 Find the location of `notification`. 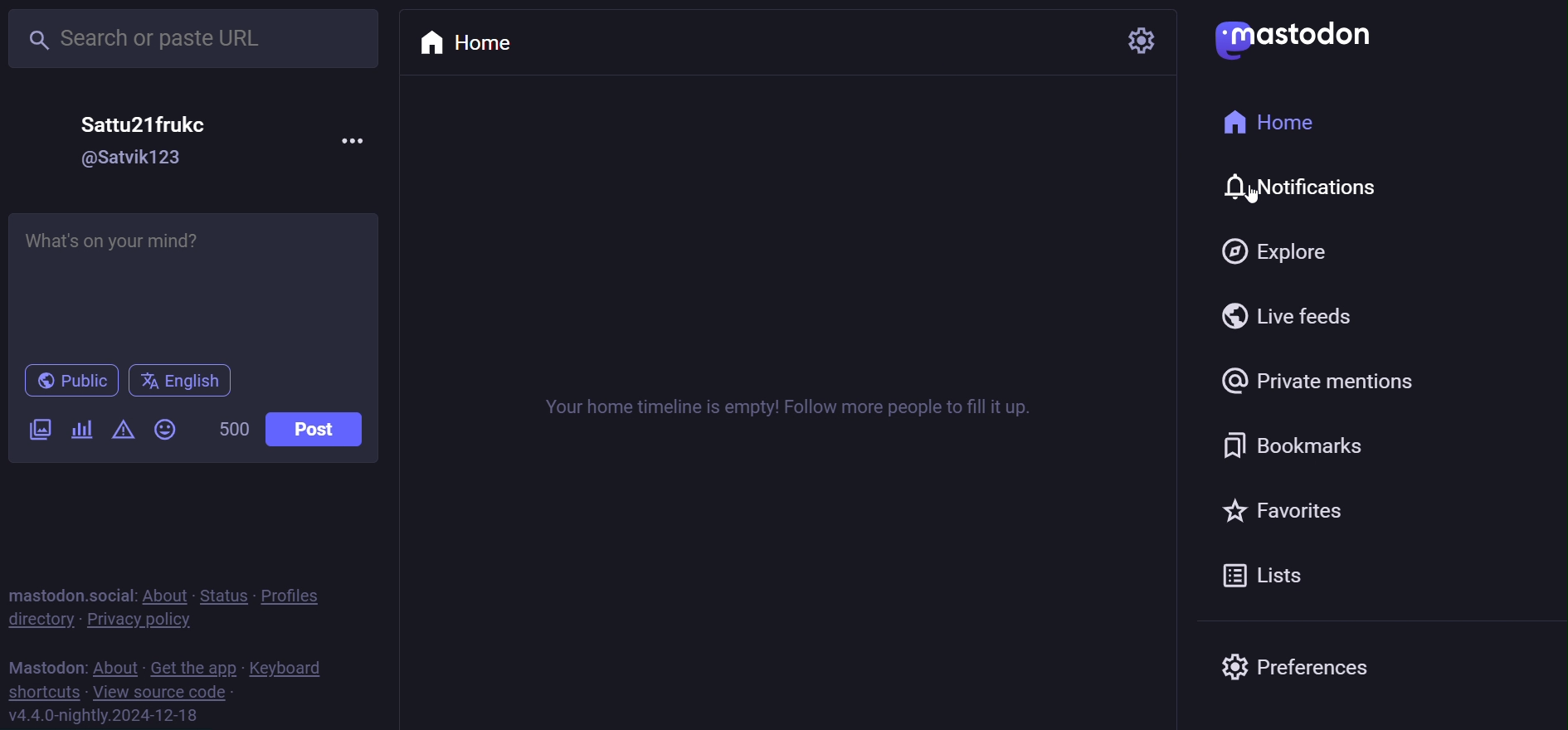

notification is located at coordinates (1313, 187).